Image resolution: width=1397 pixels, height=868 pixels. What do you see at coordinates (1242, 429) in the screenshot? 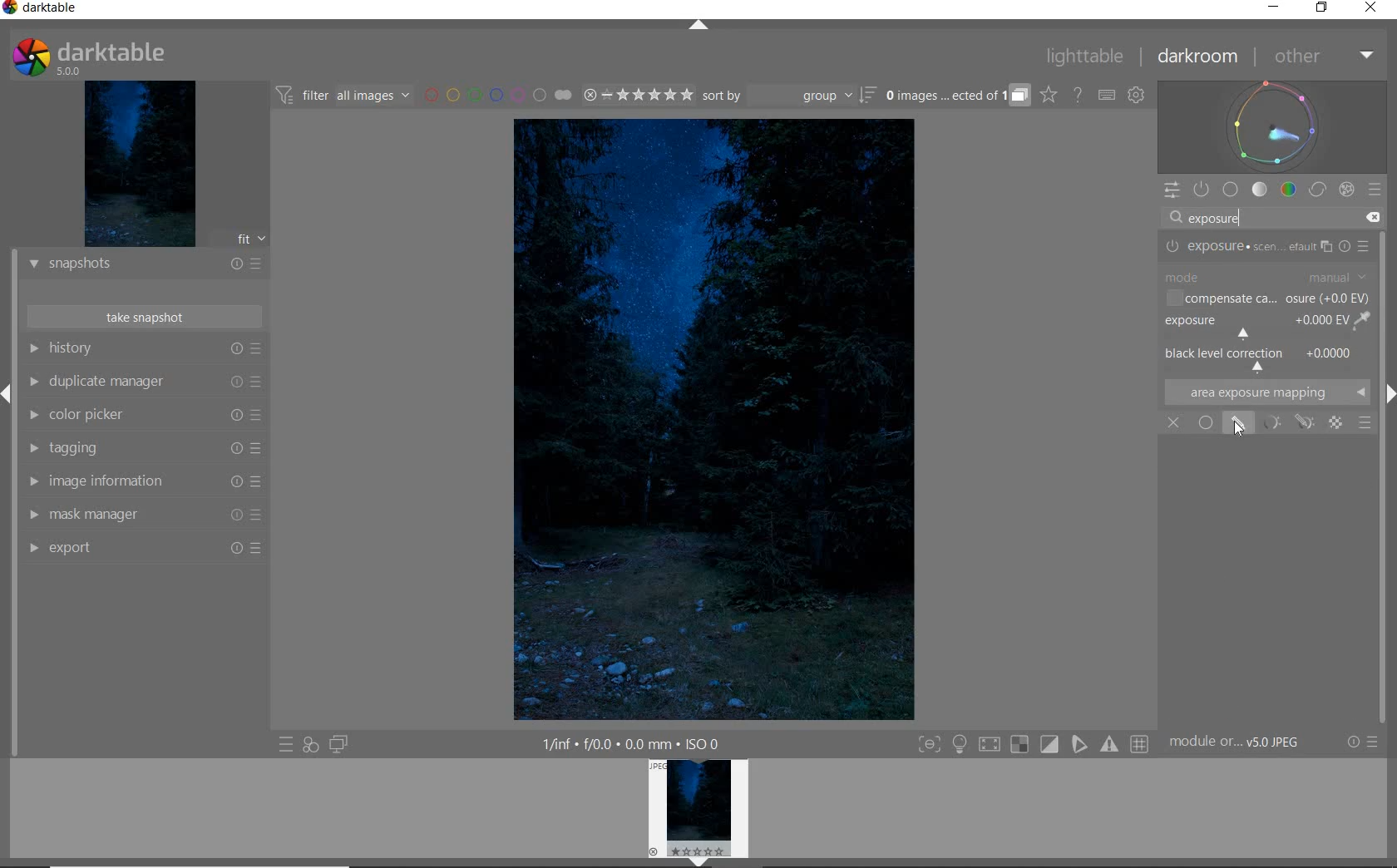
I see `cursor` at bounding box center [1242, 429].